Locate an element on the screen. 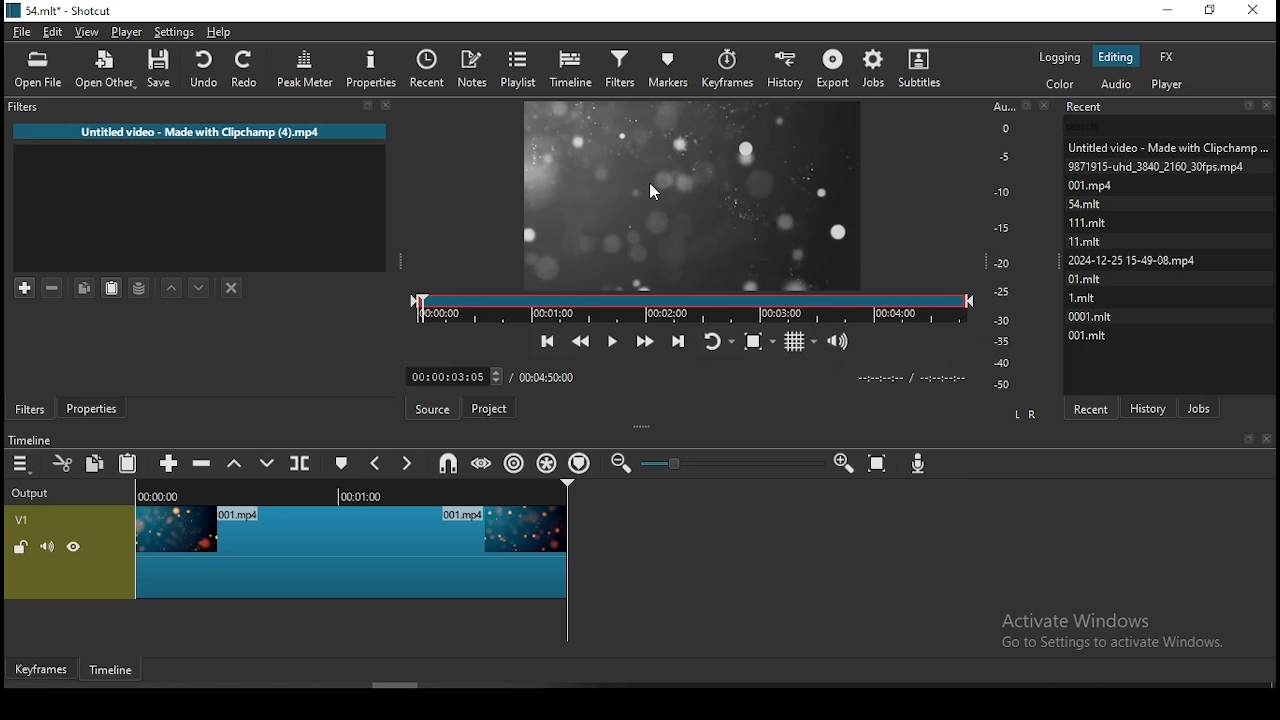 This screenshot has height=720, width=1280. record audio is located at coordinates (921, 460).